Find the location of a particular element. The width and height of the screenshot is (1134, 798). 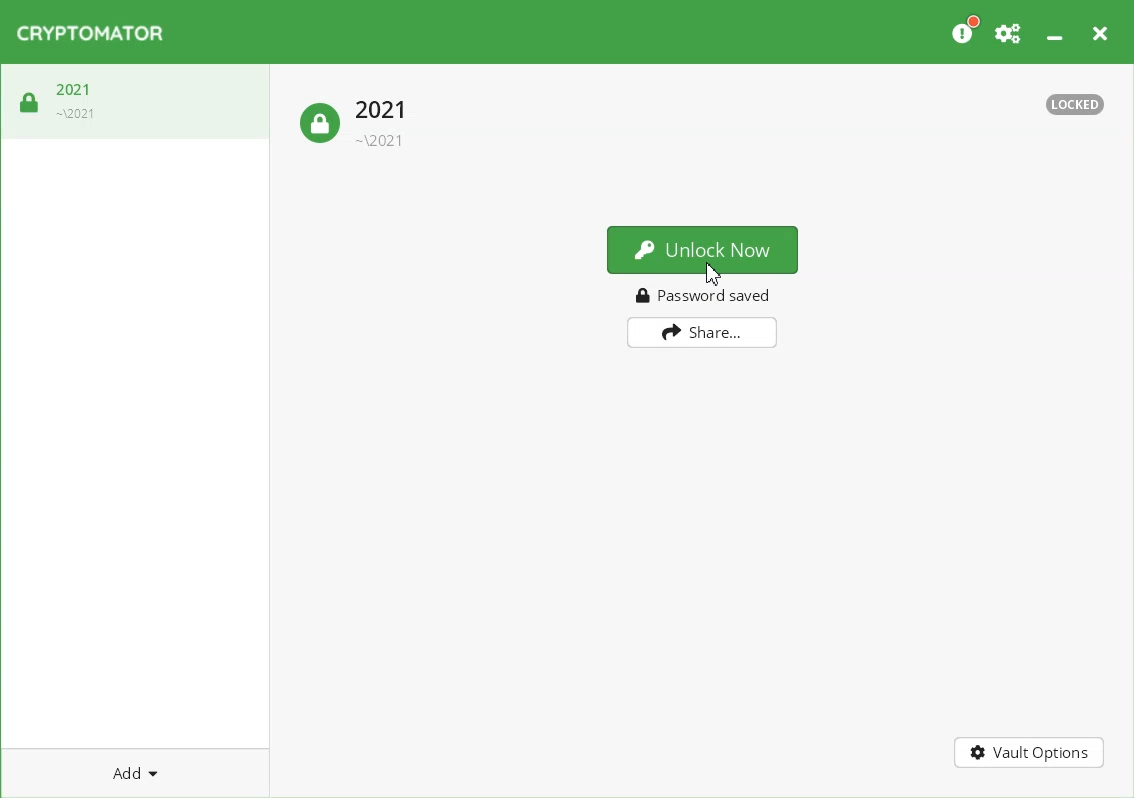

Text is located at coordinates (1076, 105).